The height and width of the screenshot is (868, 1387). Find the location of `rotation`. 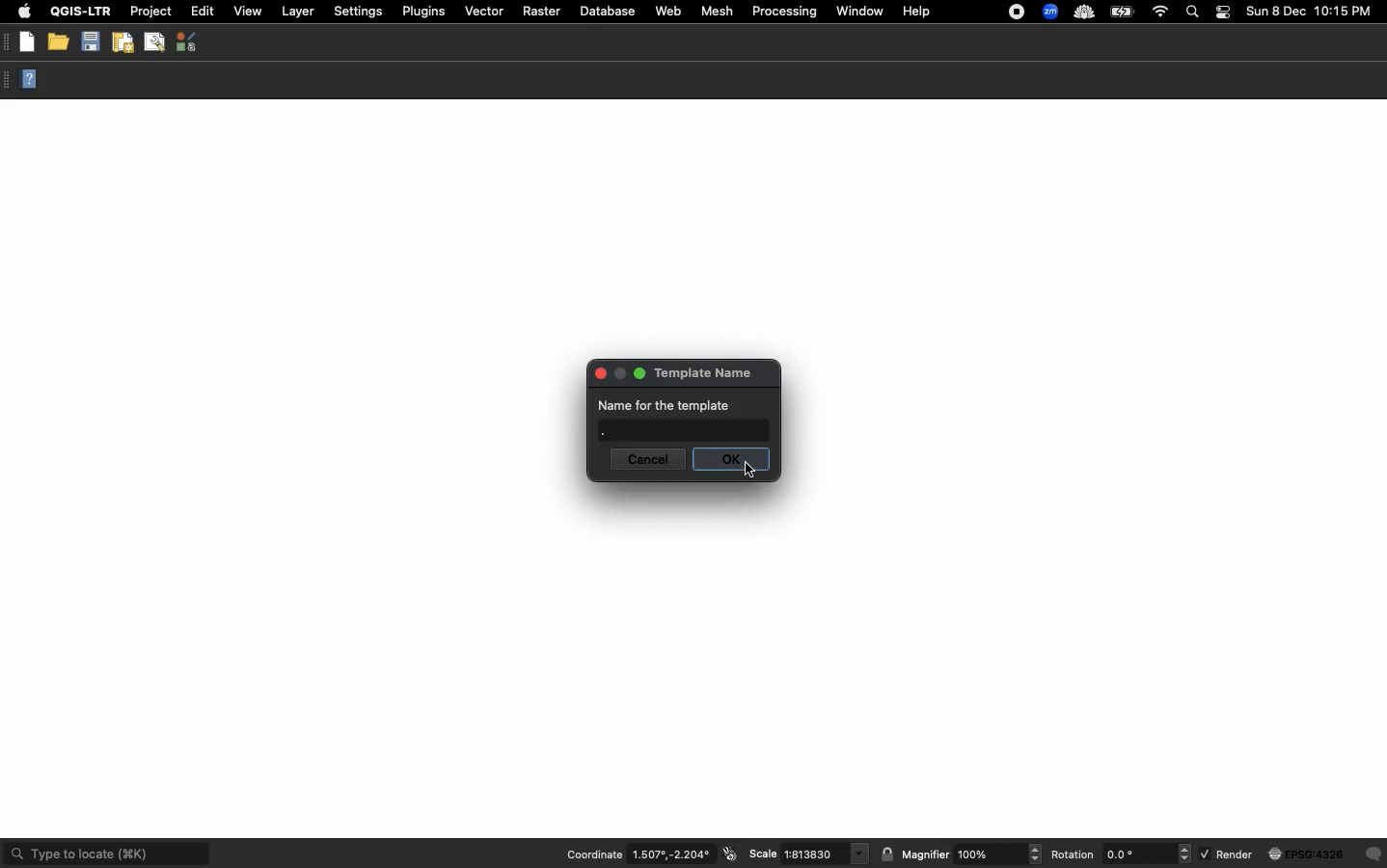

rotation is located at coordinates (1149, 854).